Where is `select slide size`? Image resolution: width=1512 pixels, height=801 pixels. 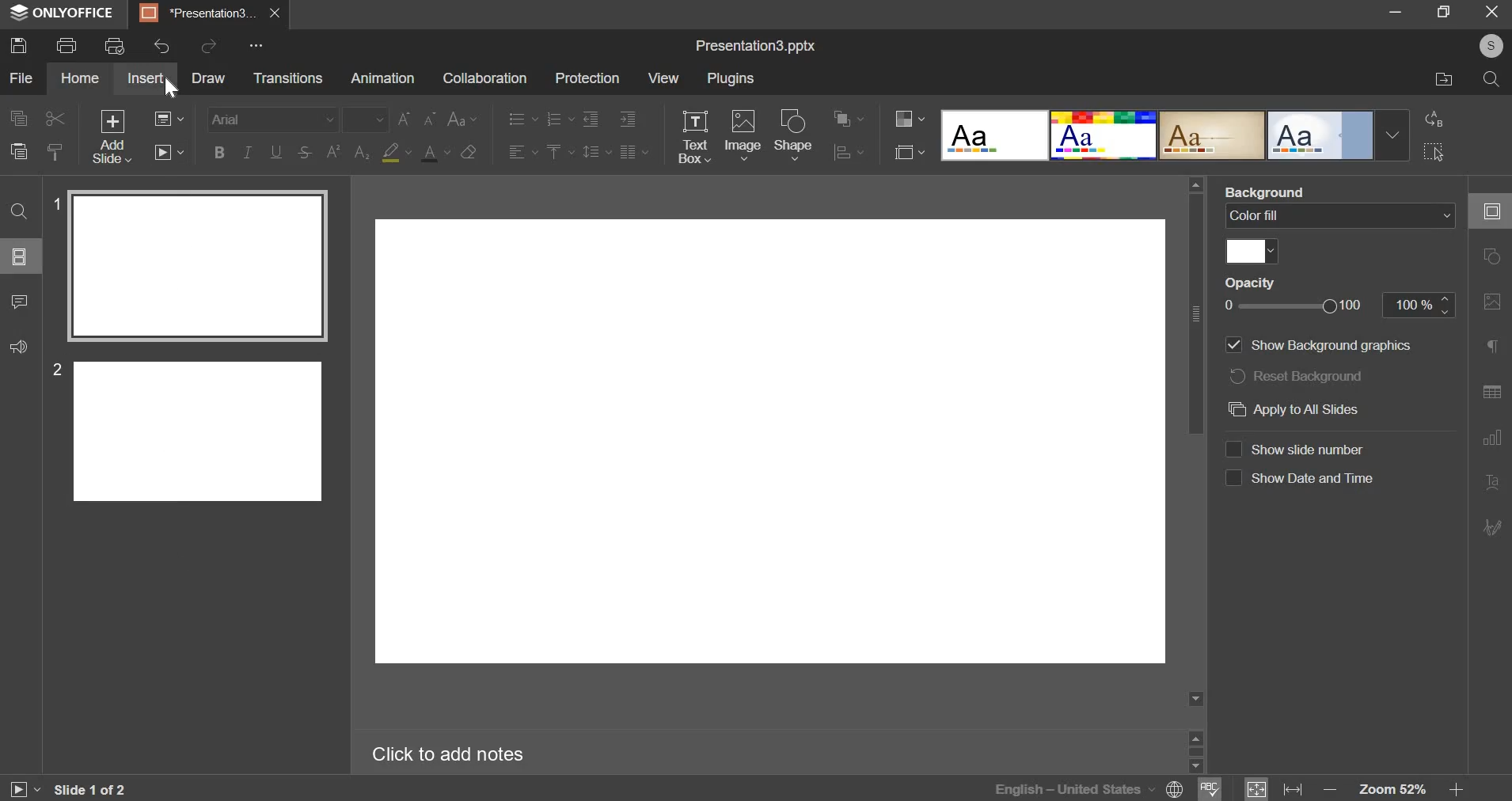 select slide size is located at coordinates (910, 154).